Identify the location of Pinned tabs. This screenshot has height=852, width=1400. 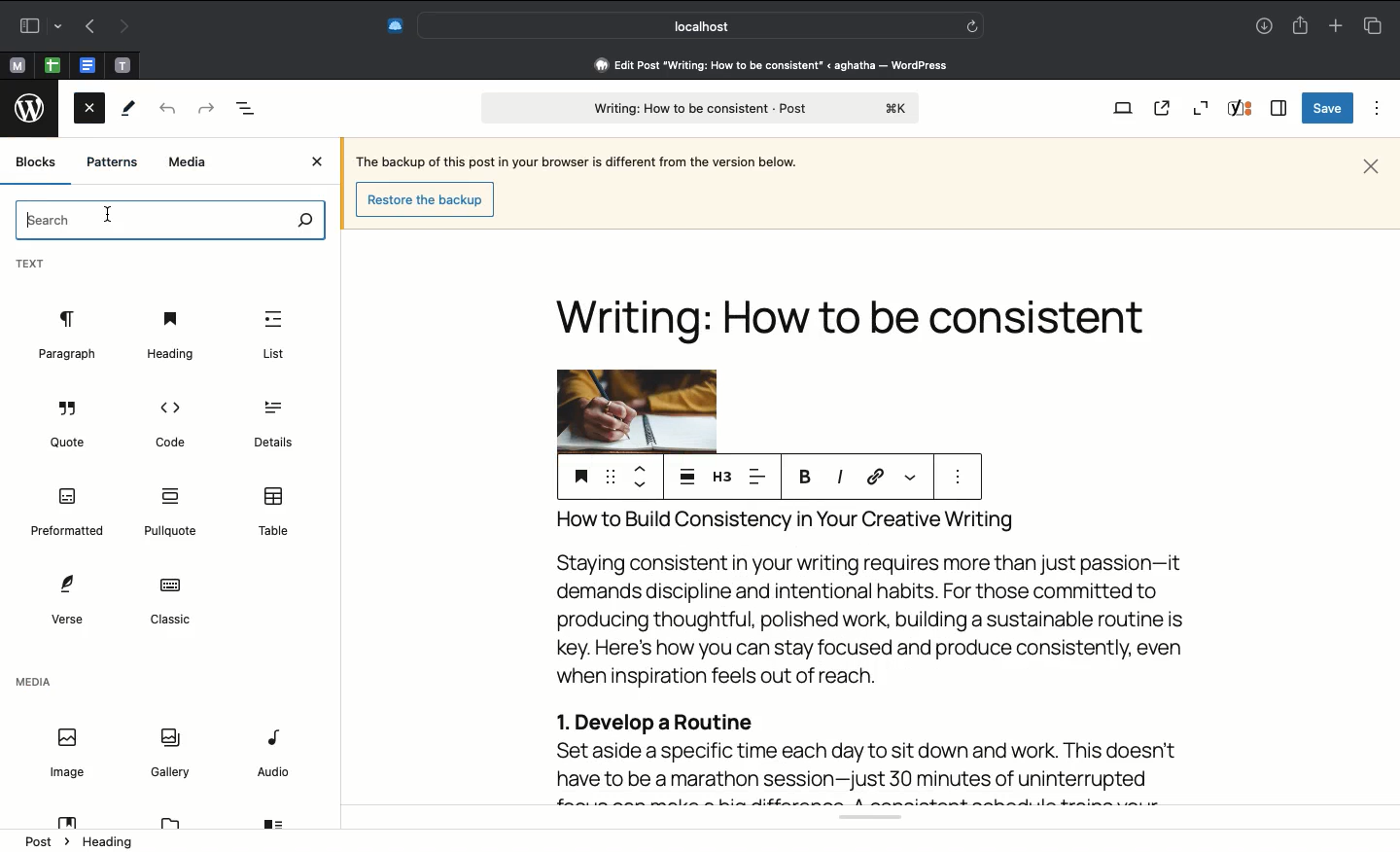
(87, 64).